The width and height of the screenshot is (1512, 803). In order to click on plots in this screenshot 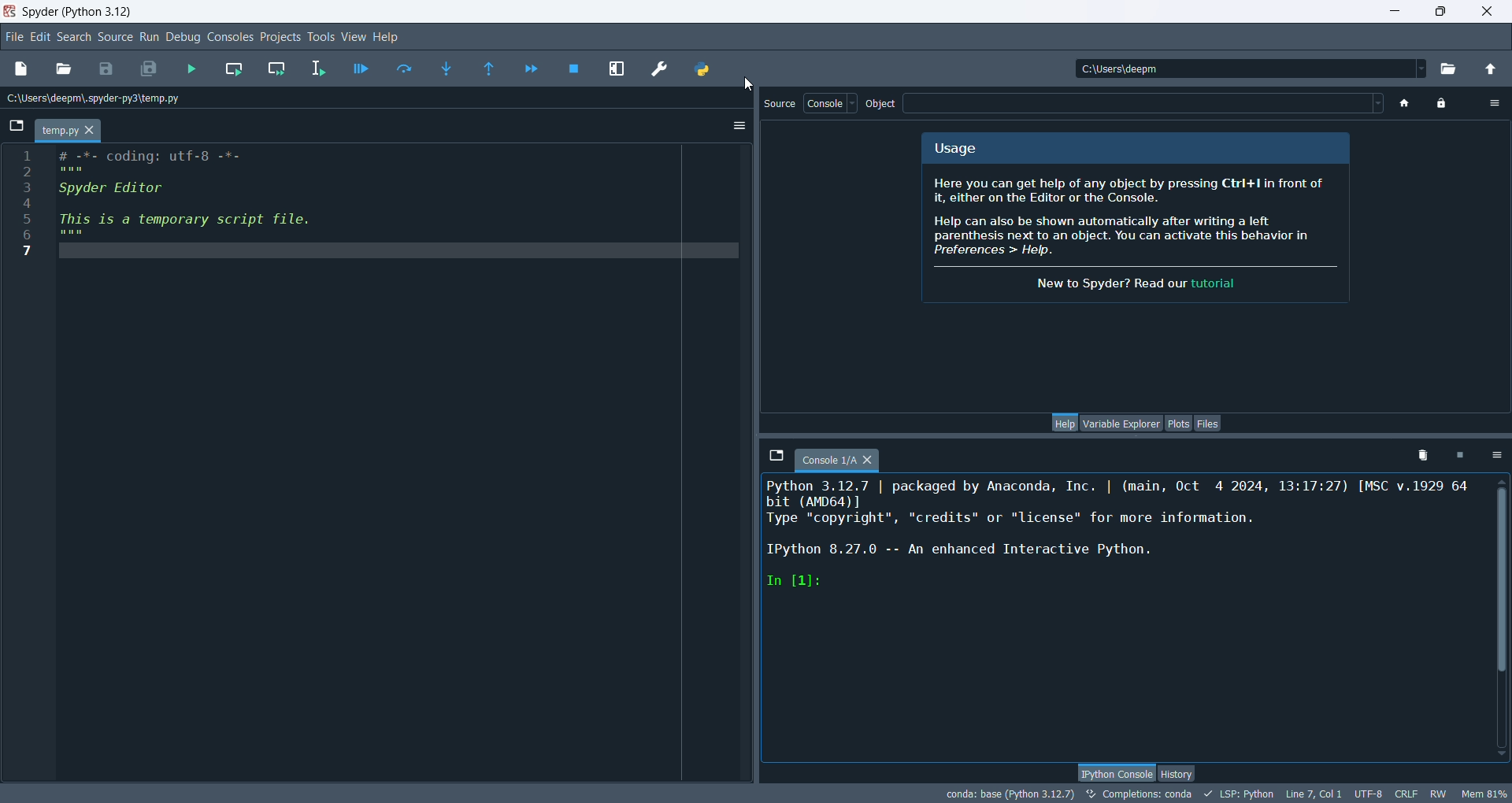, I will do `click(1180, 424)`.